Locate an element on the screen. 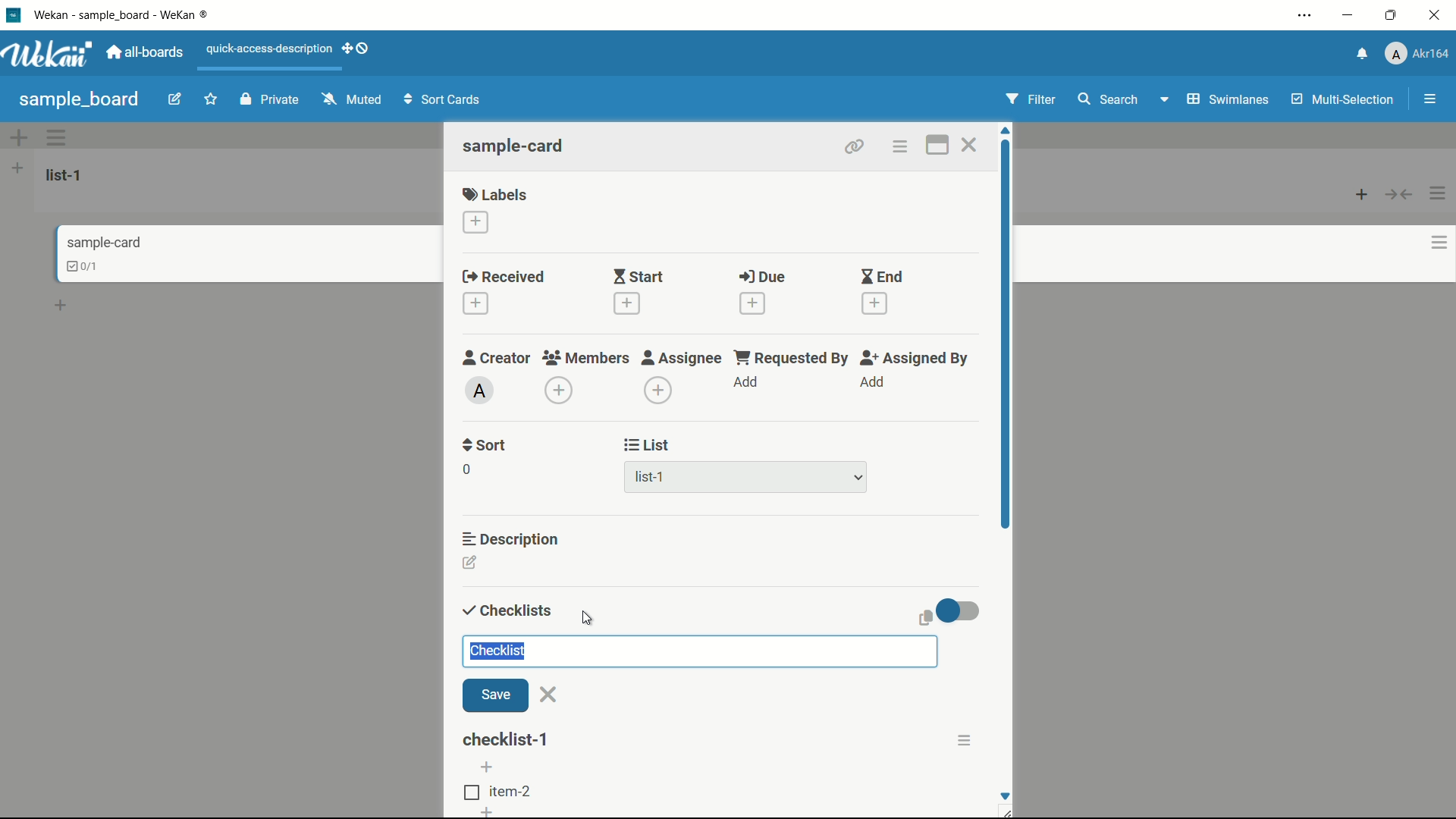 Image resolution: width=1456 pixels, height=819 pixels. end is located at coordinates (881, 278).